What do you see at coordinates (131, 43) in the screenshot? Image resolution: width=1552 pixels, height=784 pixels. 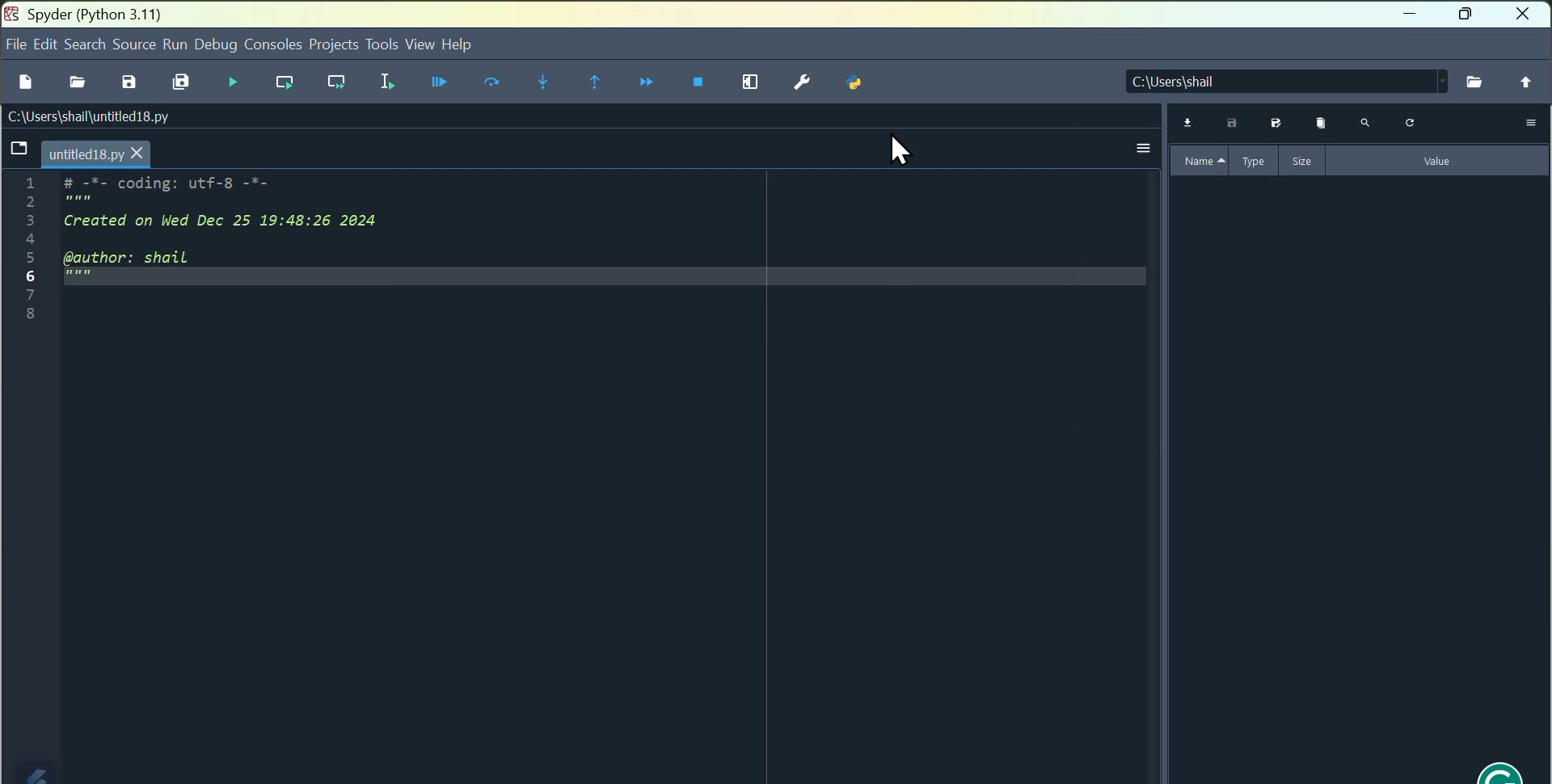 I see `source` at bounding box center [131, 43].